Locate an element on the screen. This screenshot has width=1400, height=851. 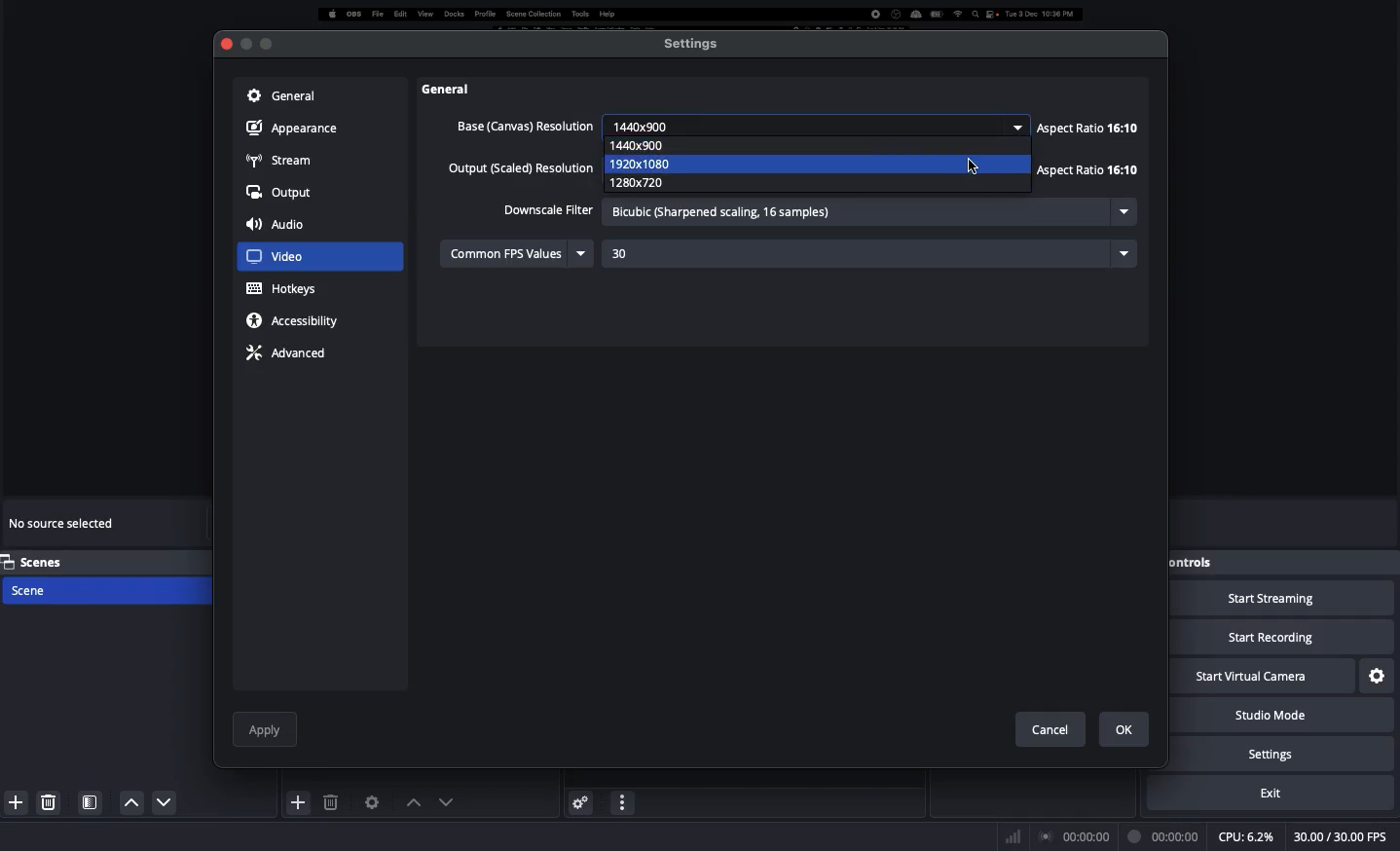
Advance is located at coordinates (289, 351).